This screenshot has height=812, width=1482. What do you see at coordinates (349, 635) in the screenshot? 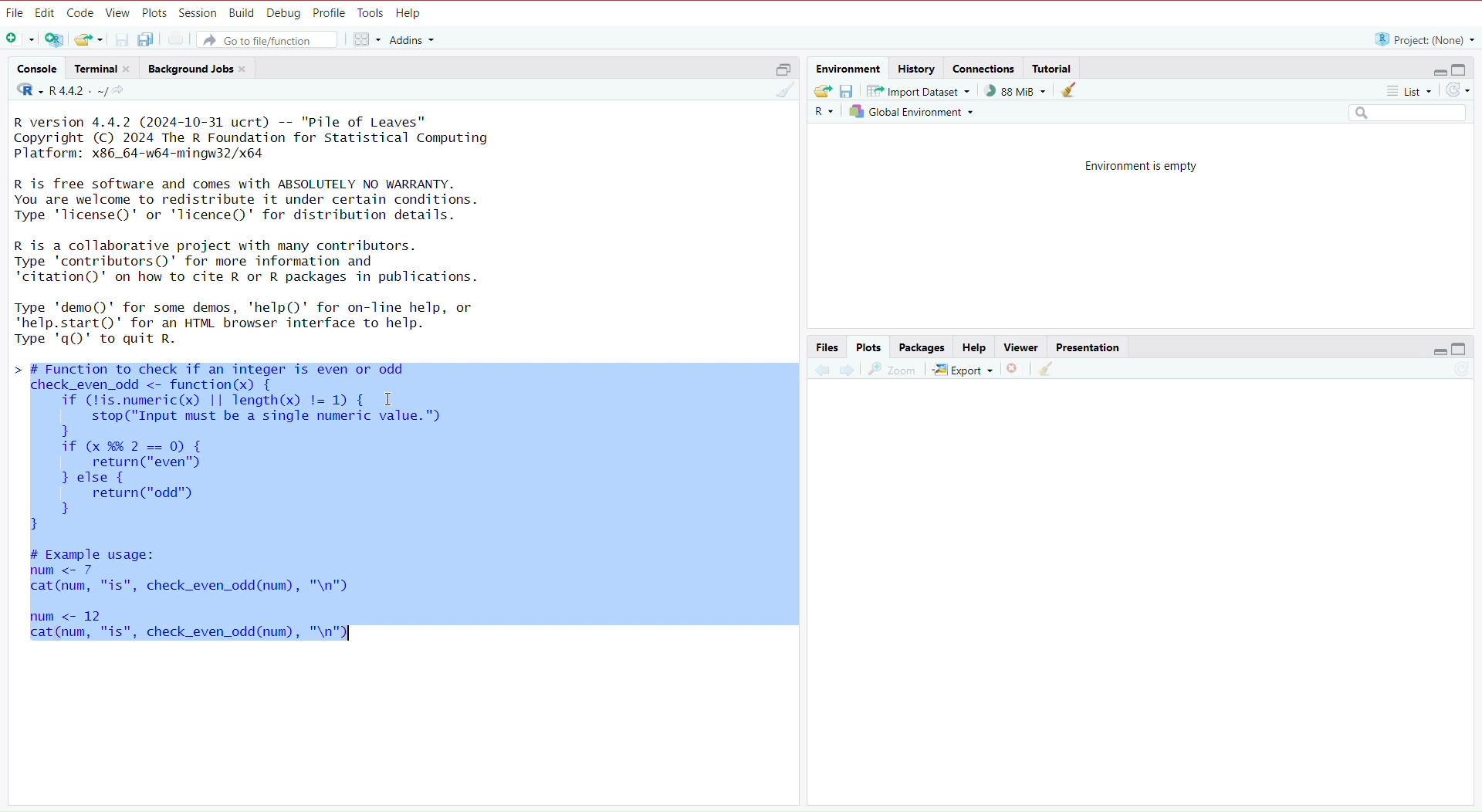
I see `text cursor` at bounding box center [349, 635].